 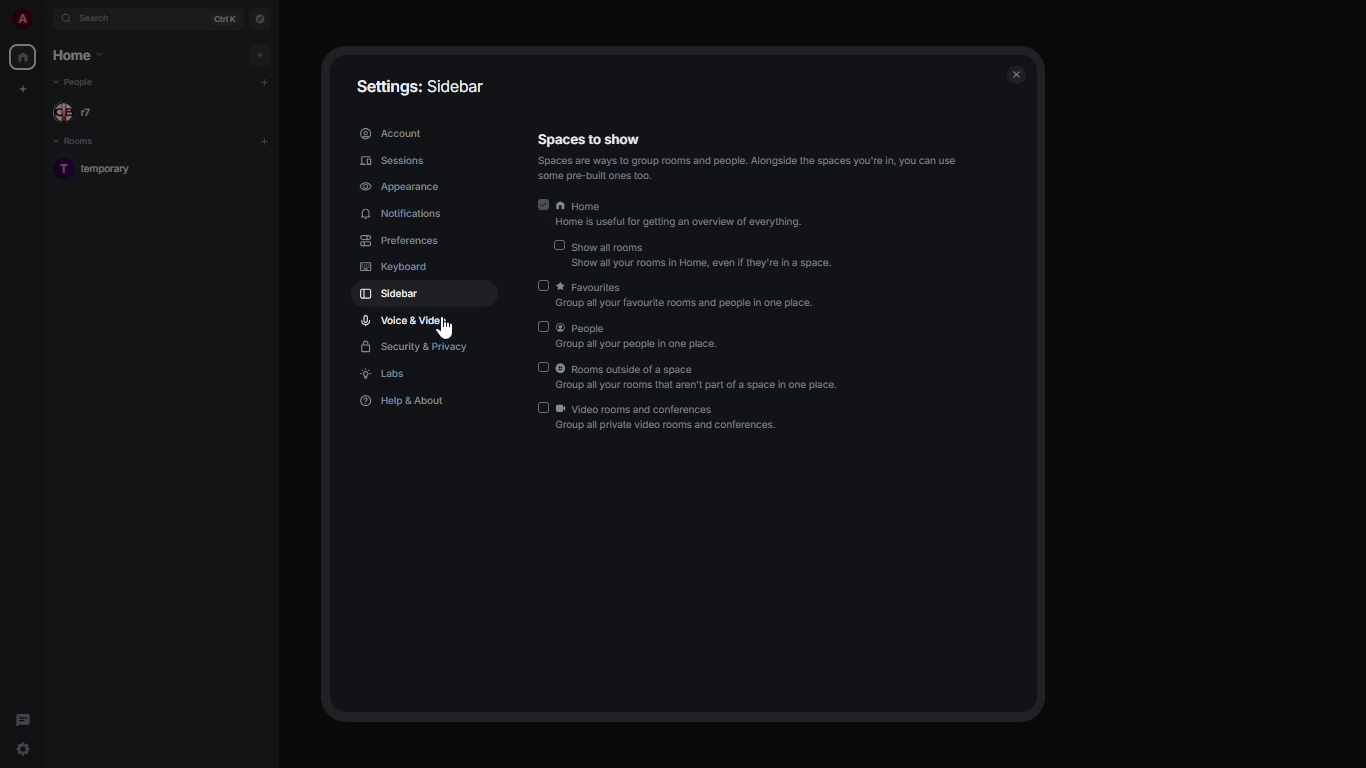 I want to click on disabled, so click(x=538, y=368).